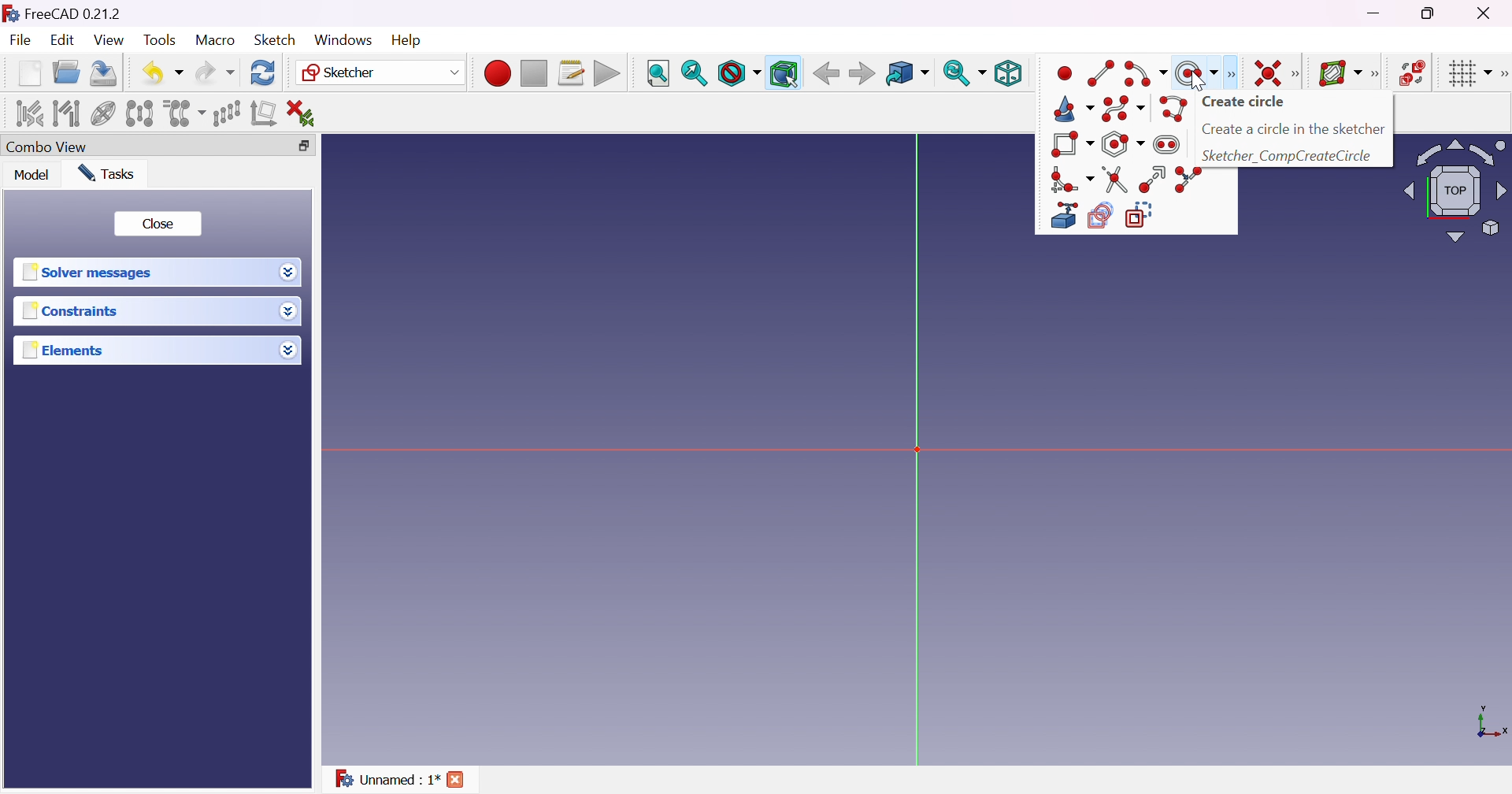 Image resolution: width=1512 pixels, height=794 pixels. I want to click on Drop down, so click(291, 311).